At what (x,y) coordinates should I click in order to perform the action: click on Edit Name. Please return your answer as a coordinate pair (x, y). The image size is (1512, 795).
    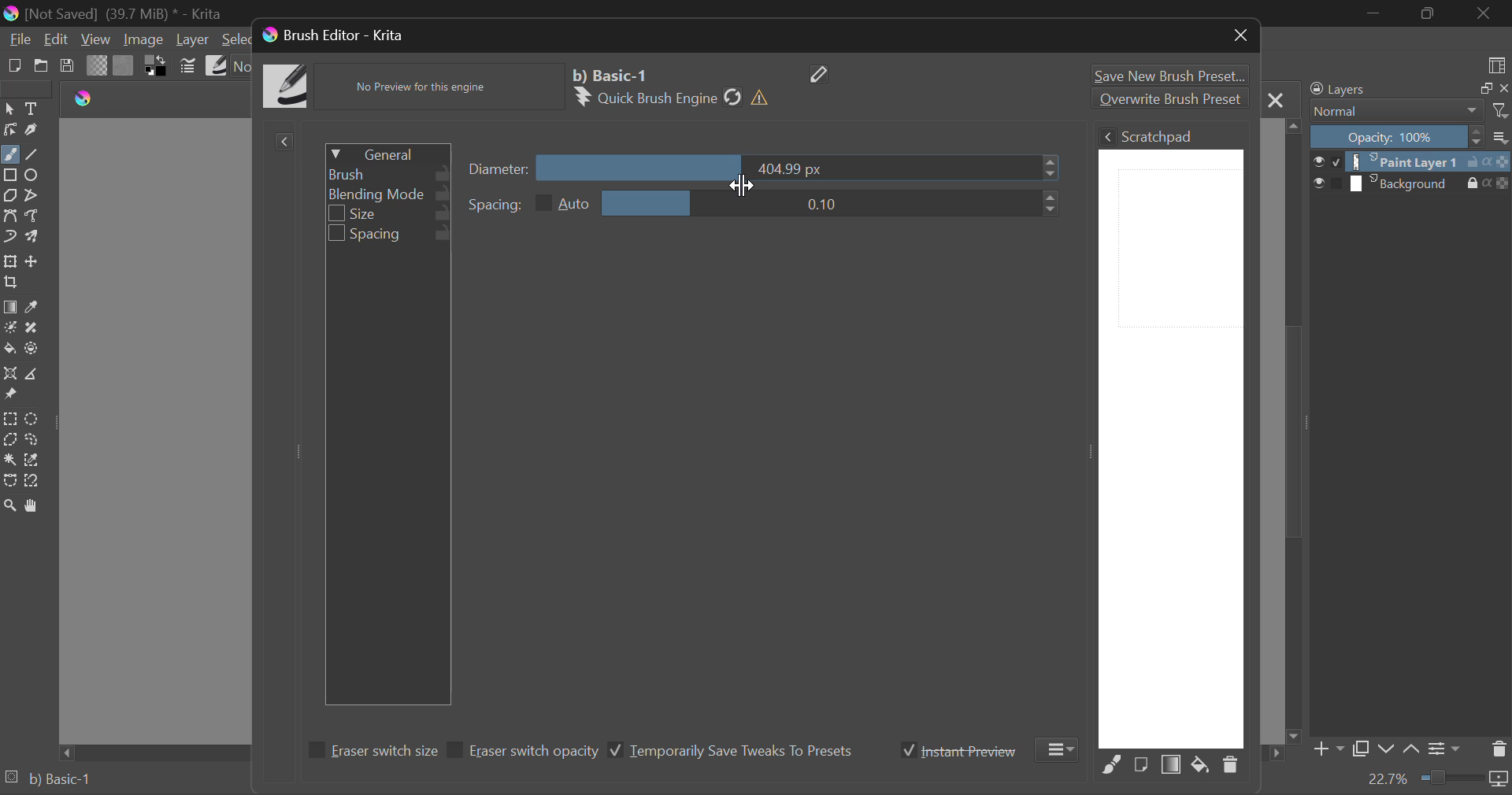
    Looking at the image, I should click on (821, 73).